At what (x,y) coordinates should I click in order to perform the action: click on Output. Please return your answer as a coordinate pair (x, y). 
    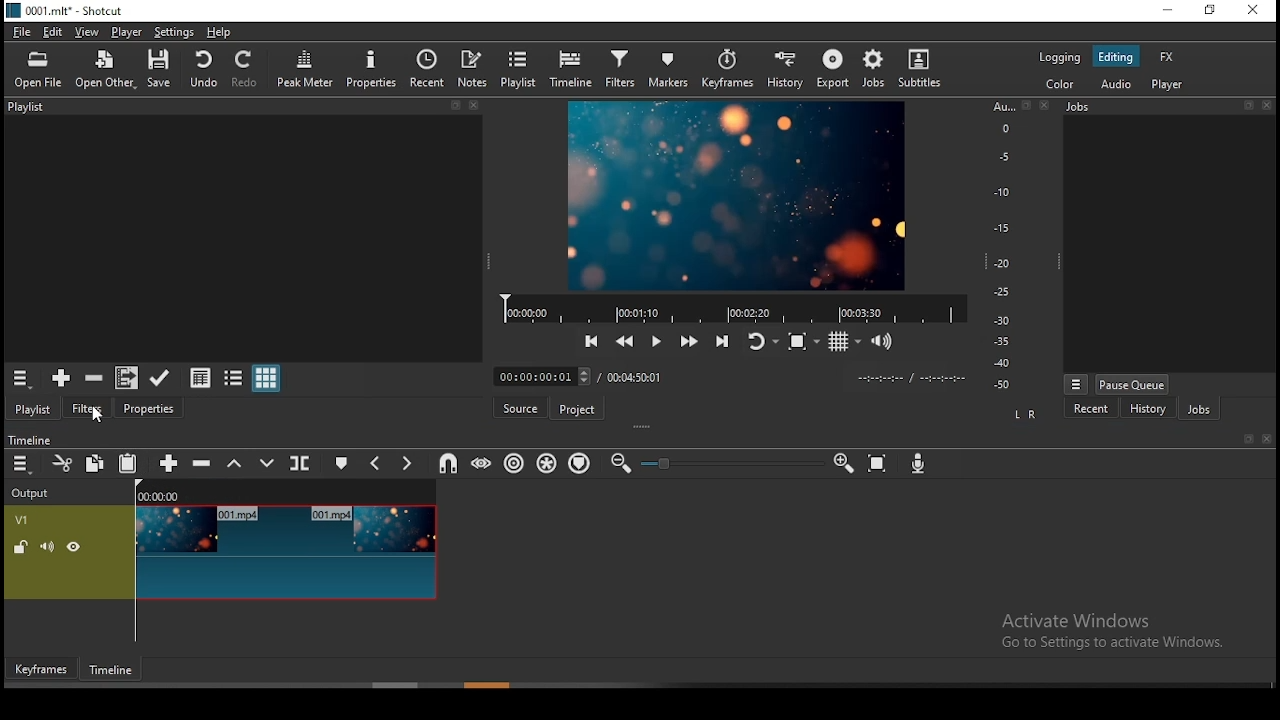
    Looking at the image, I should click on (34, 493).